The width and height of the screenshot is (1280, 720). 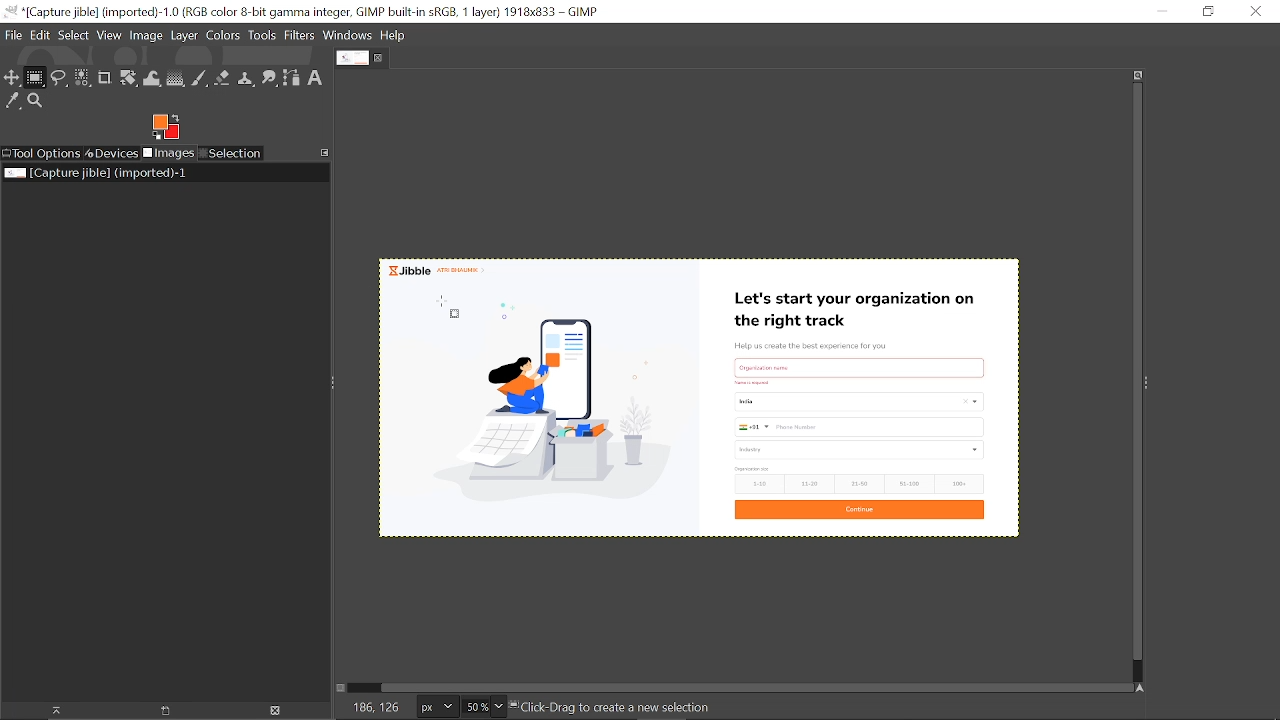 I want to click on Zoom options, so click(x=501, y=707).